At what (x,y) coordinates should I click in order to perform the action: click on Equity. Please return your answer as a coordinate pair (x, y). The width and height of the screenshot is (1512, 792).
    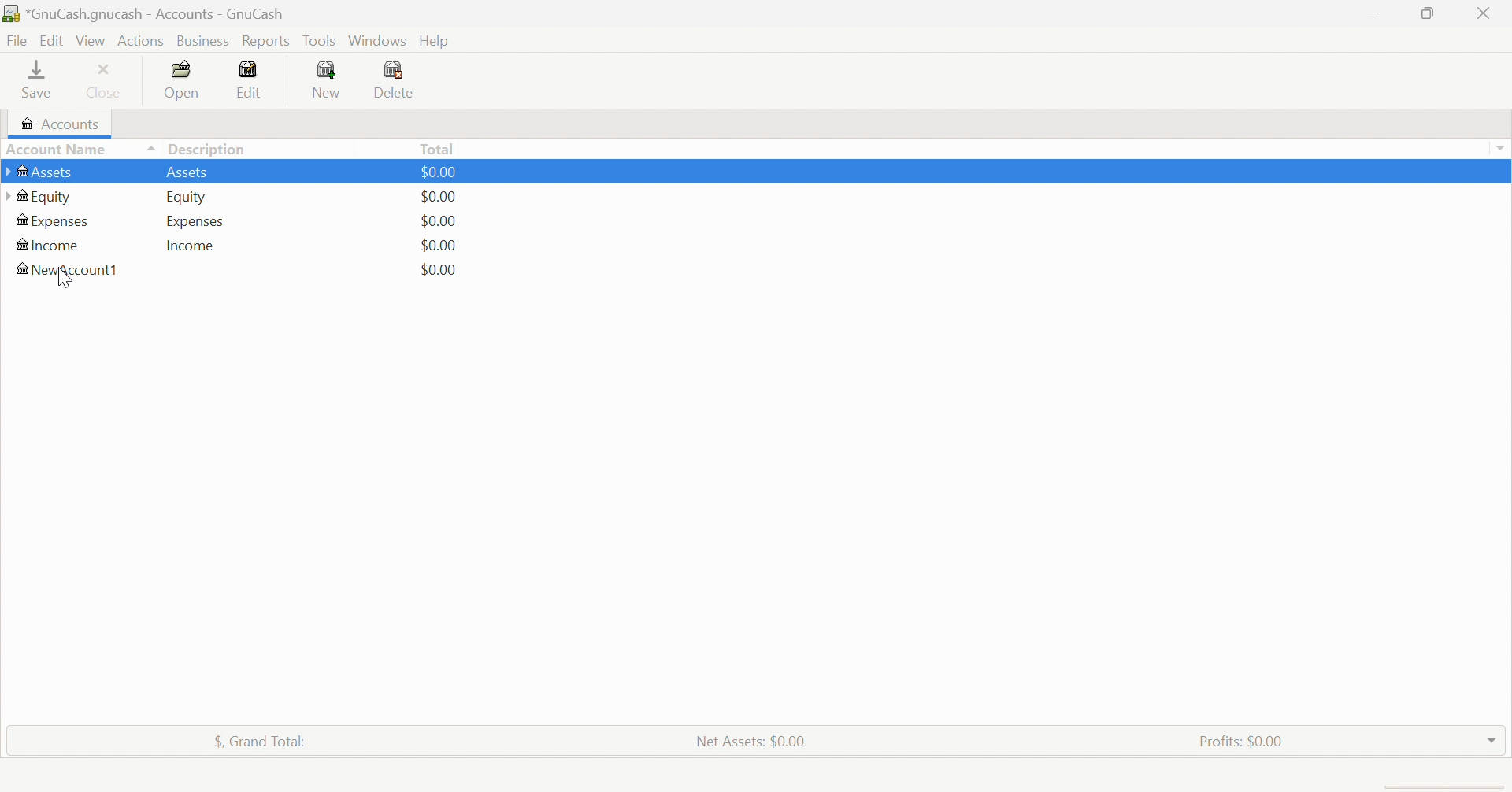
    Looking at the image, I should click on (38, 197).